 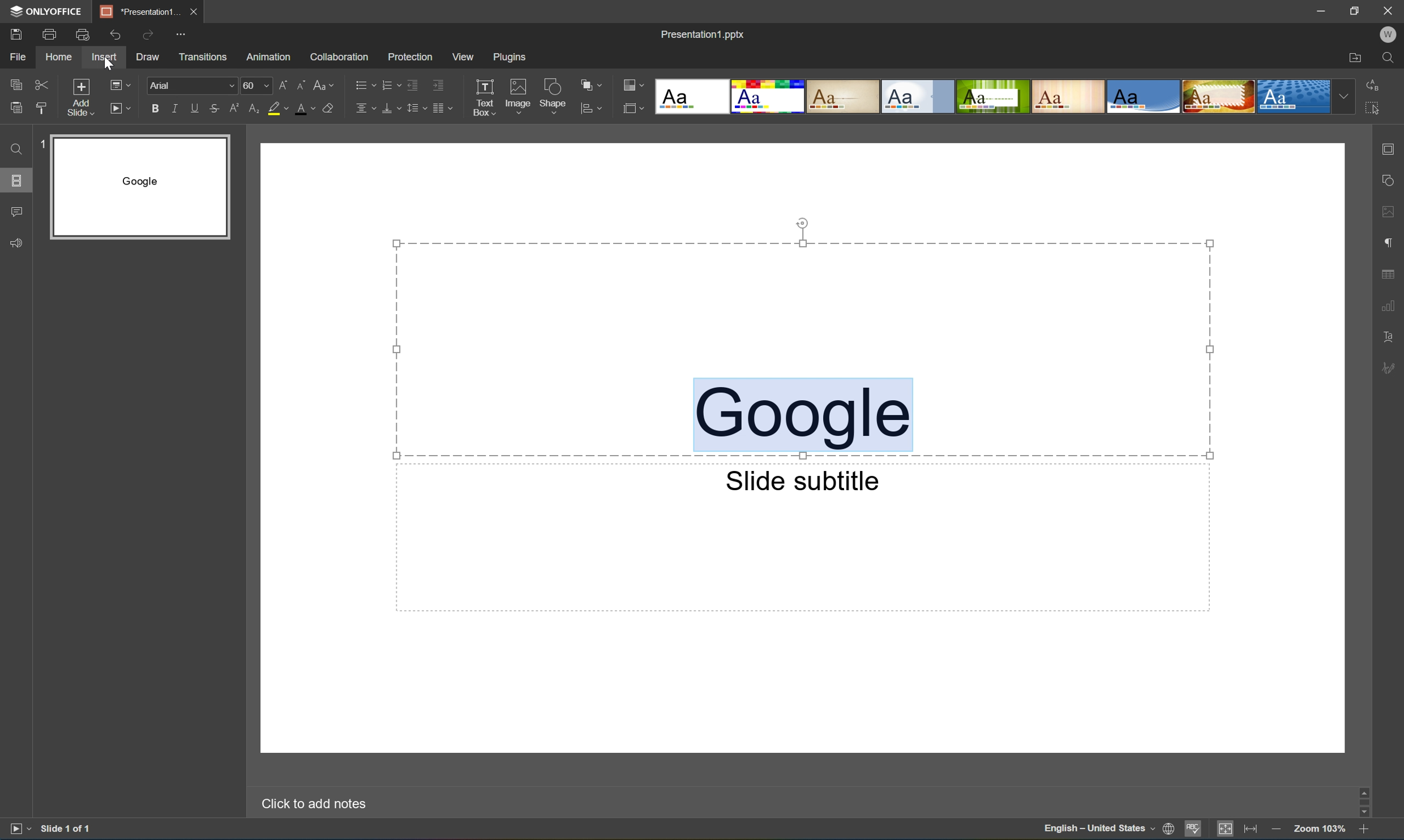 What do you see at coordinates (445, 110) in the screenshot?
I see `Decrease indent` at bounding box center [445, 110].